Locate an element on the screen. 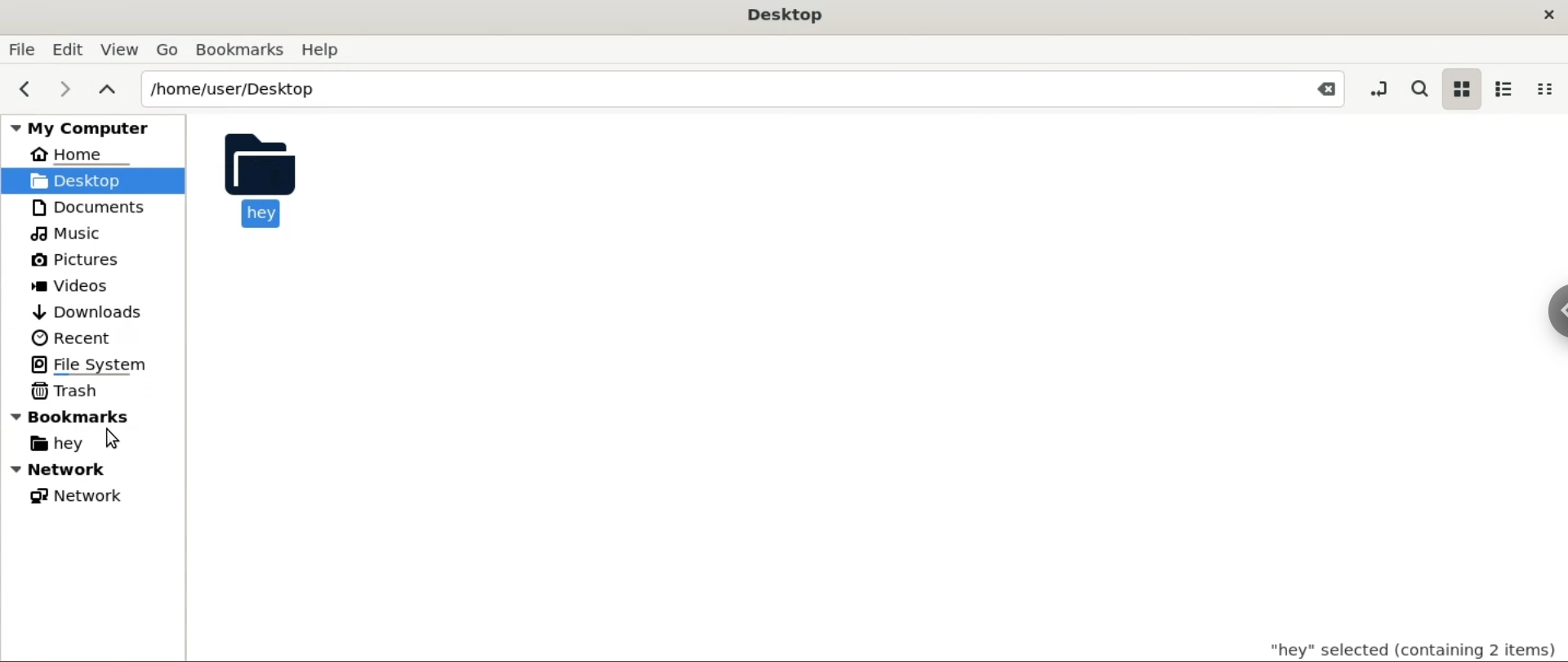 The image size is (1568, 662). icon view is located at coordinates (1459, 89).